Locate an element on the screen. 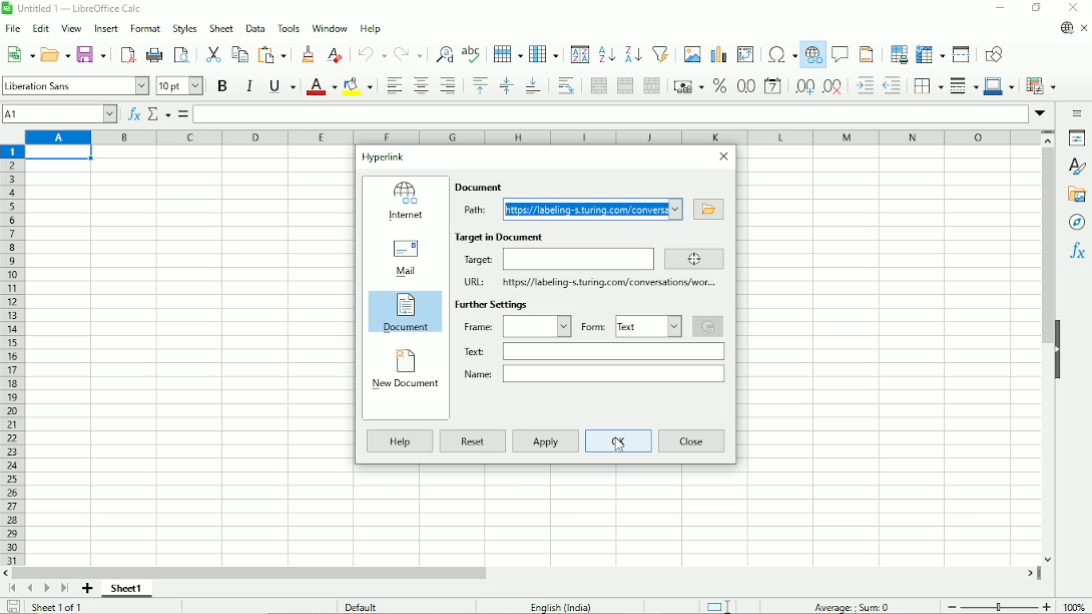 This screenshot has height=614, width=1092. Functions is located at coordinates (1077, 254).